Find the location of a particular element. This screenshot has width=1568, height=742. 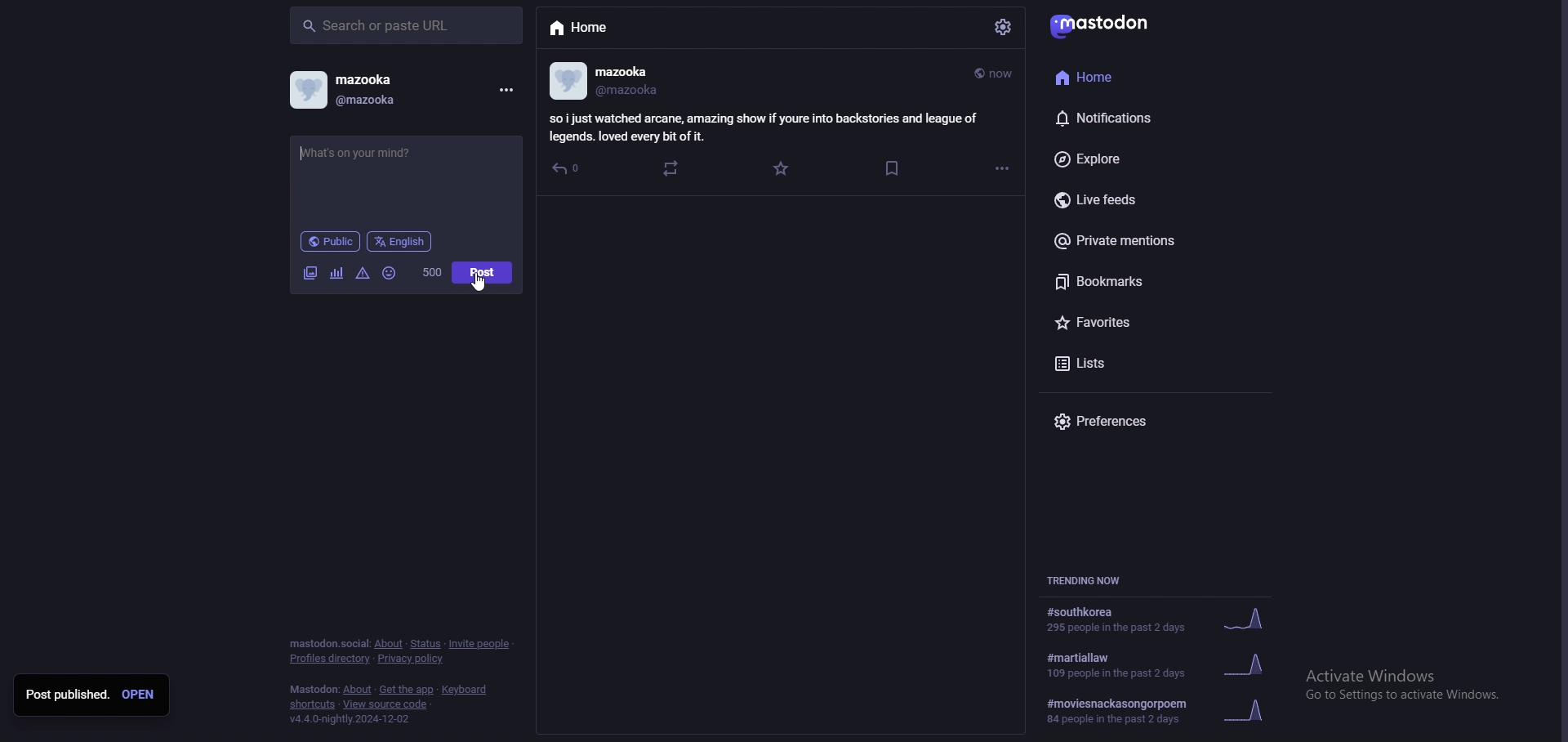

post published is located at coordinates (68, 695).